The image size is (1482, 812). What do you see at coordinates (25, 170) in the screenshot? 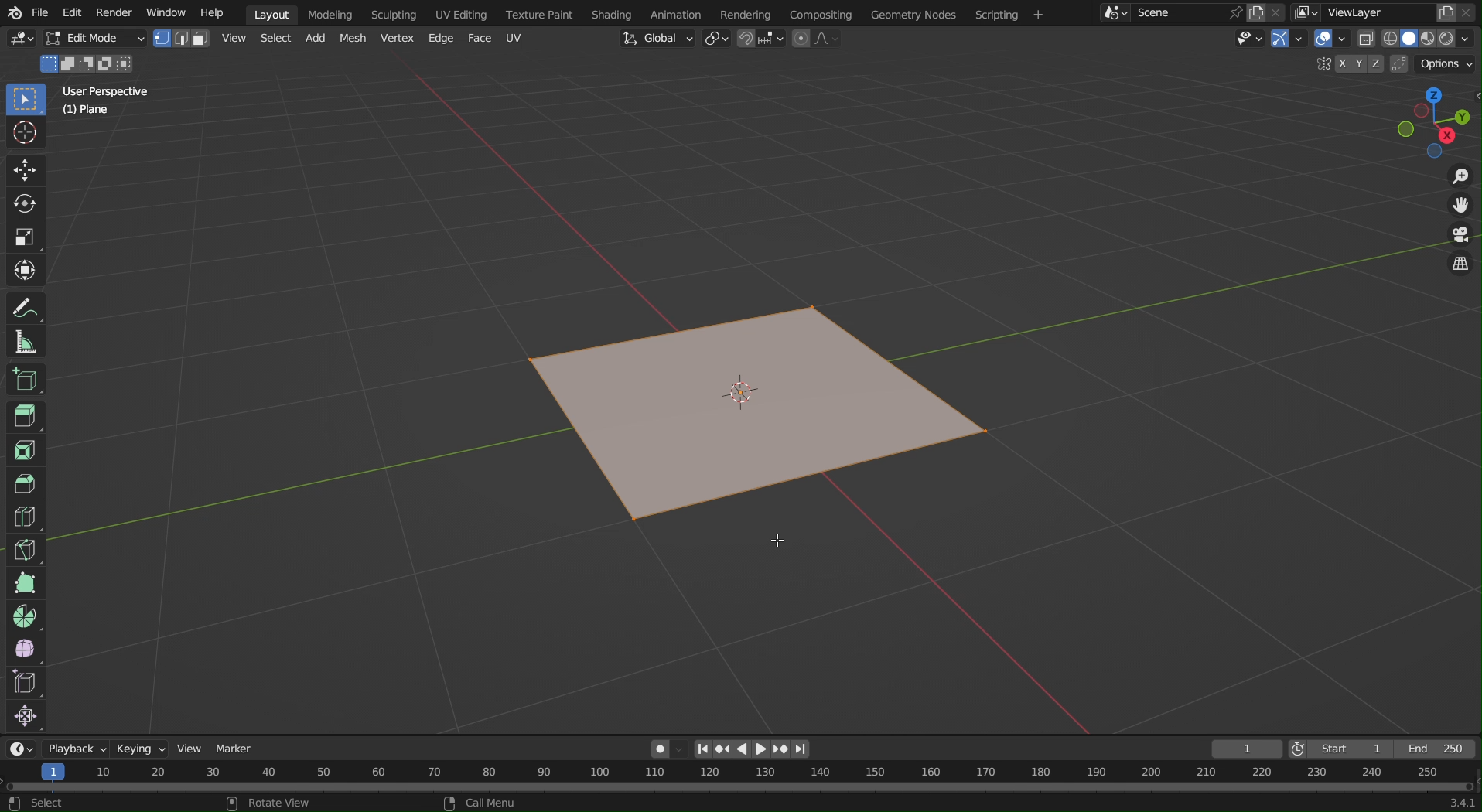
I see `Move` at bounding box center [25, 170].